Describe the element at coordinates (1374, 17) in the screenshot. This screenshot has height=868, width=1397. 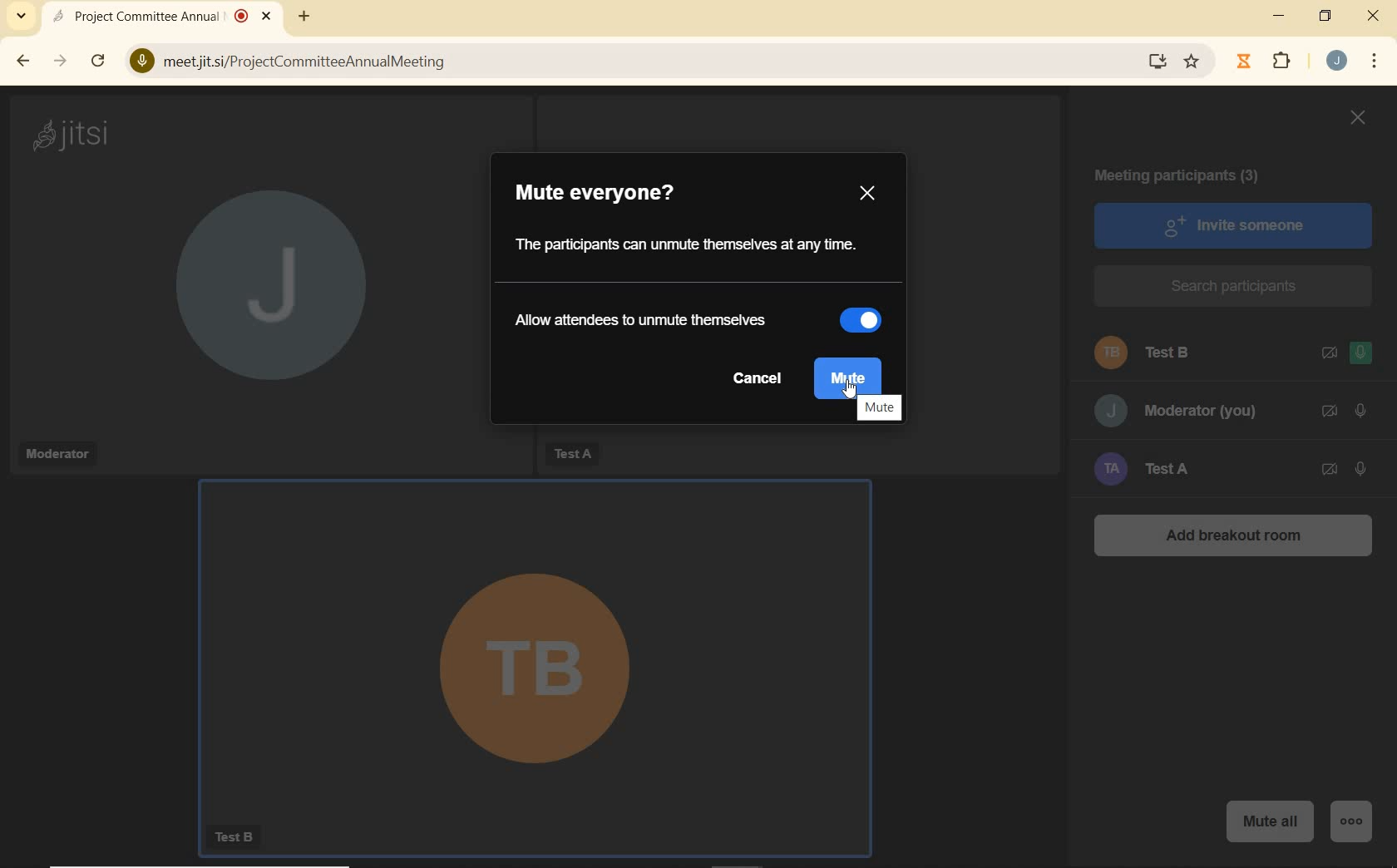
I see `CLOSE` at that location.